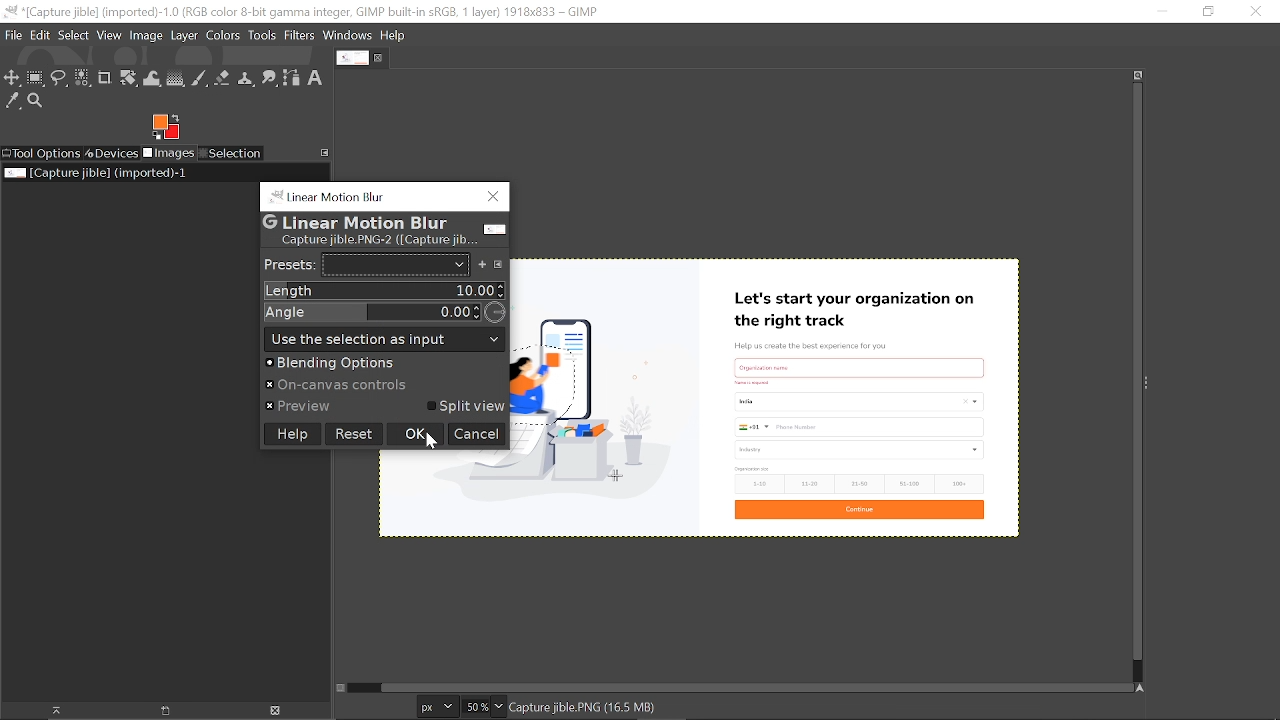 The image size is (1280, 720). What do you see at coordinates (474, 706) in the screenshot?
I see `Current zoom` at bounding box center [474, 706].